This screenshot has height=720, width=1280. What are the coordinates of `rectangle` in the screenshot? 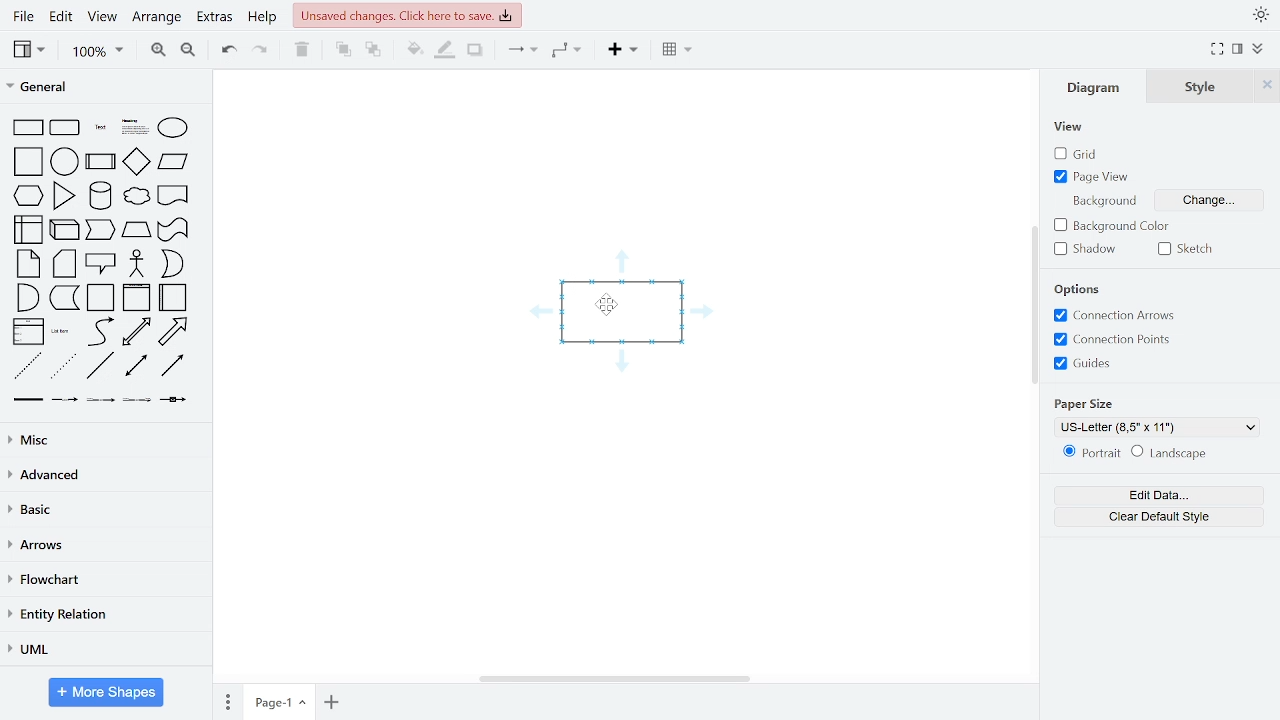 It's located at (26, 128).